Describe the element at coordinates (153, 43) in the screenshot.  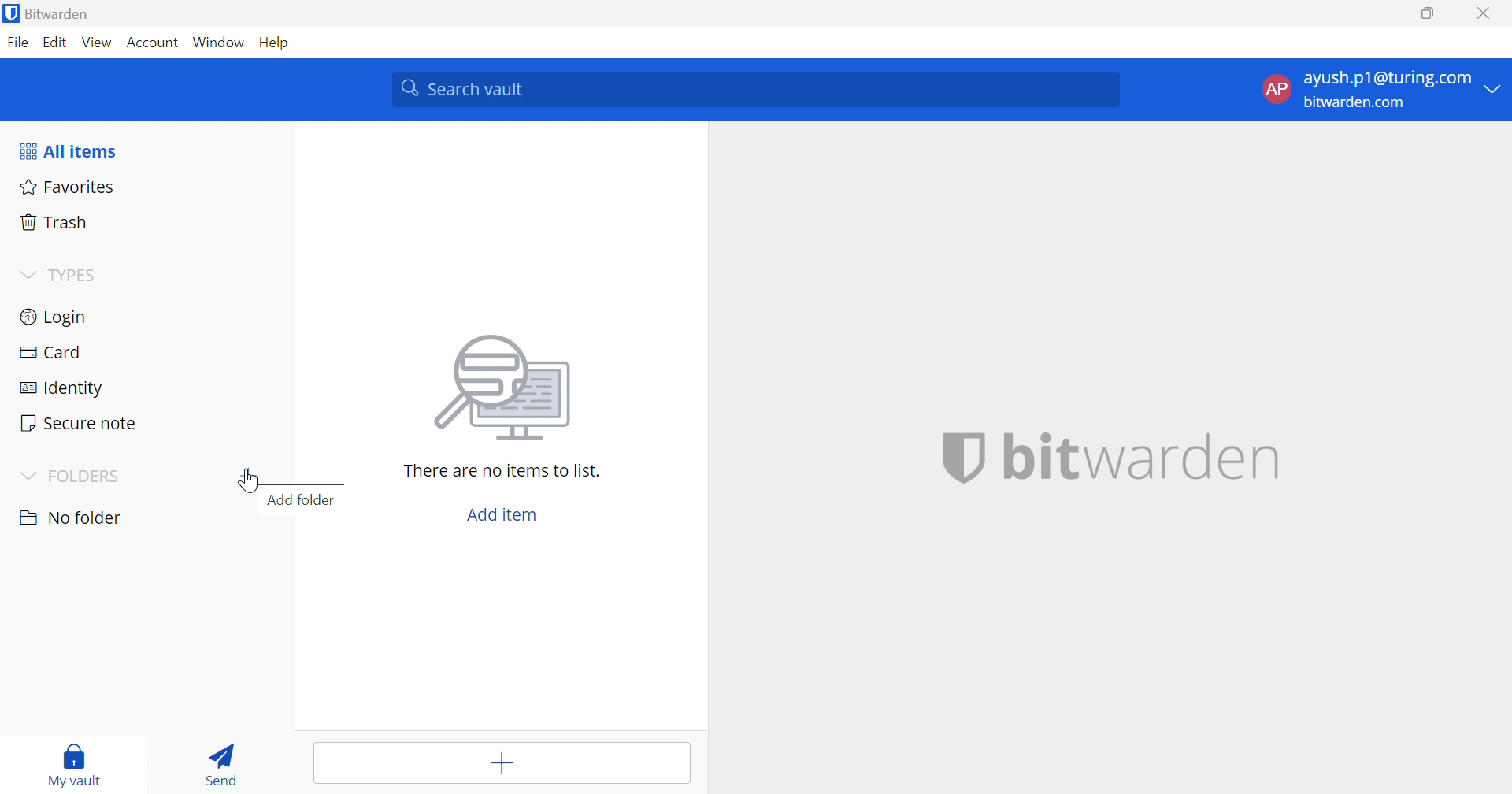
I see `Account` at that location.